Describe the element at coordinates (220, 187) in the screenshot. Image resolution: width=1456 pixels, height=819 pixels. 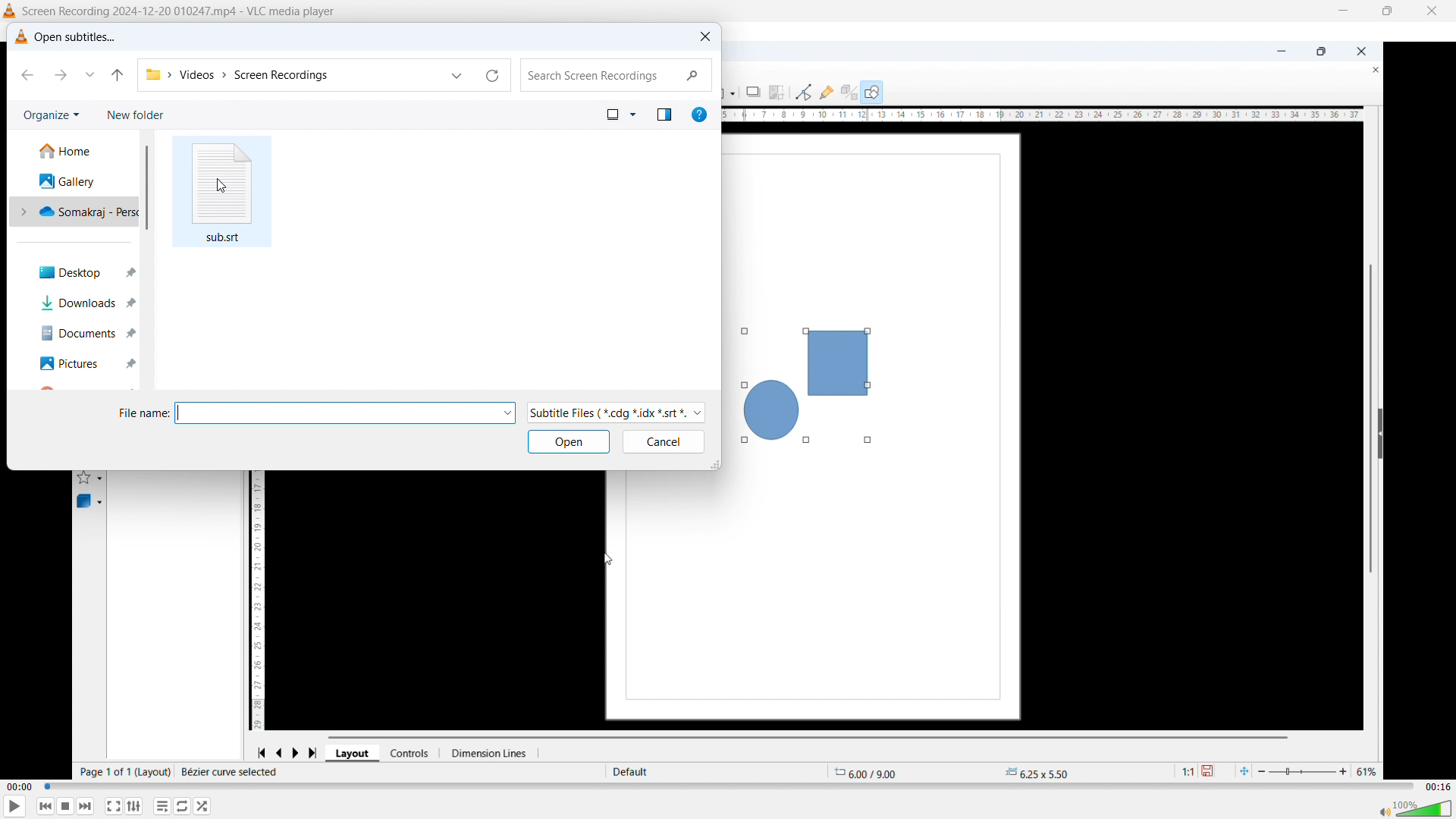
I see `Cursor` at that location.